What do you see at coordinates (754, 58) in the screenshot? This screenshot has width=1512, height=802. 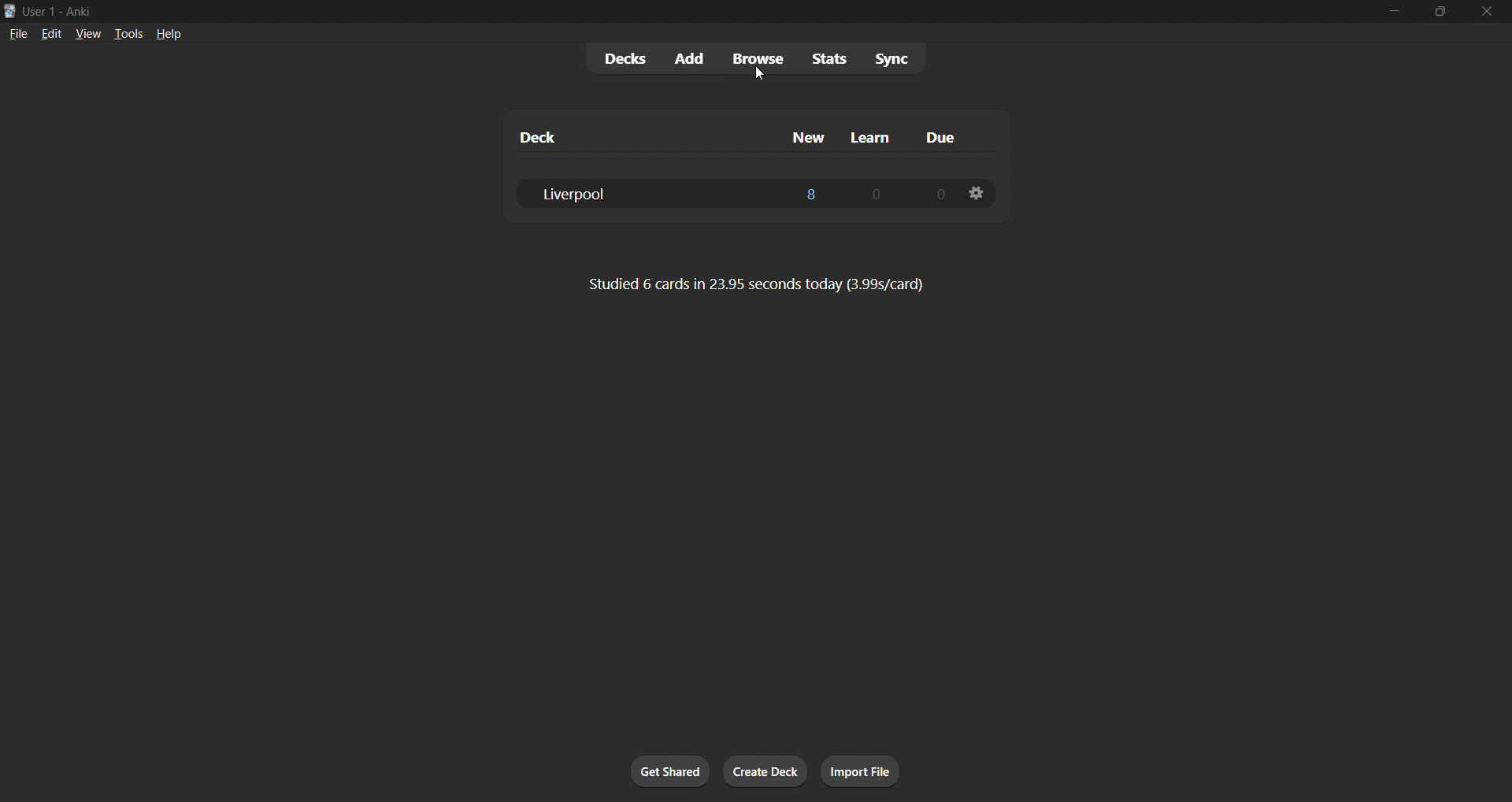 I see `browse` at bounding box center [754, 58].